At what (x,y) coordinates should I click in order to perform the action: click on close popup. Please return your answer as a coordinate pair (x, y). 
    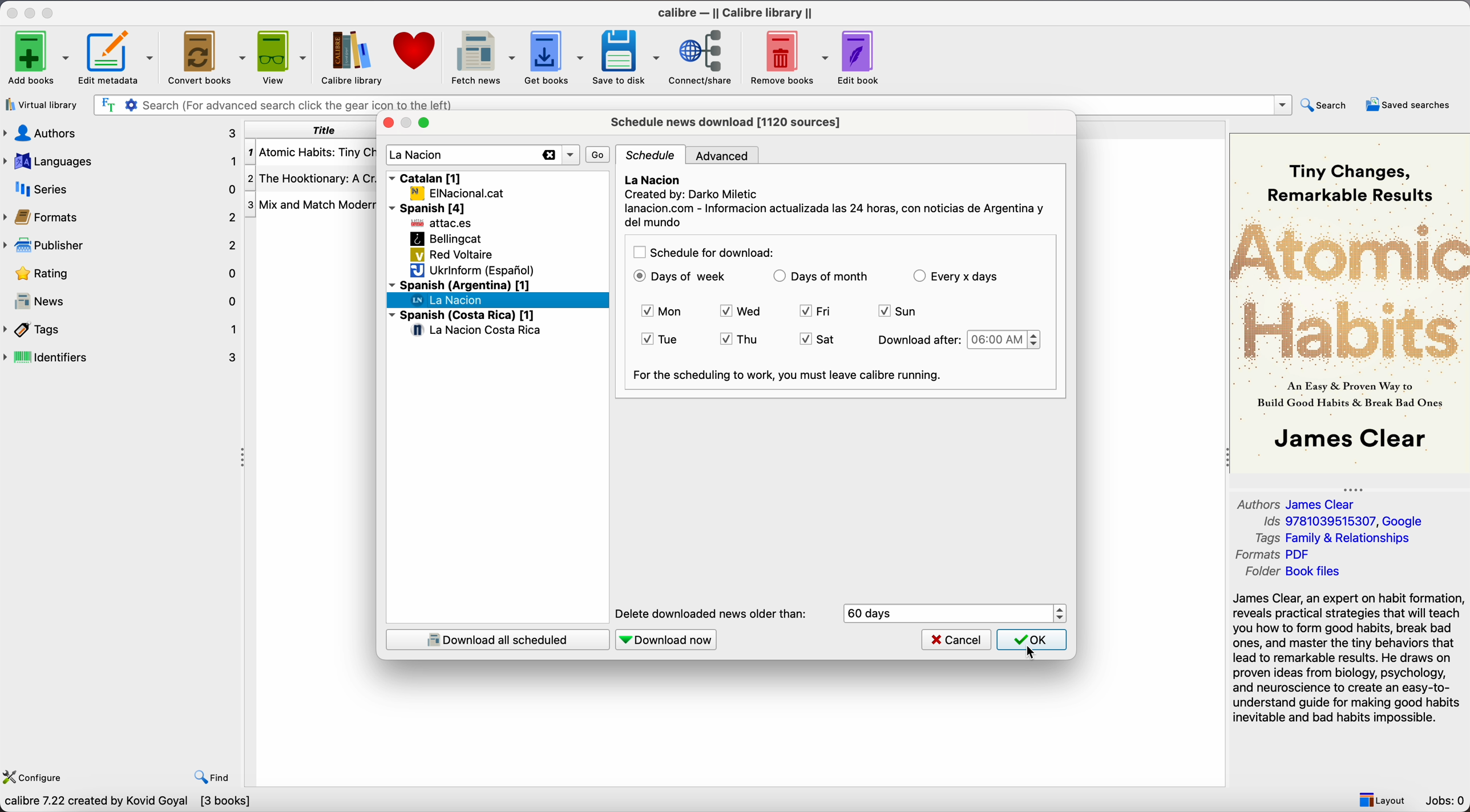
    Looking at the image, I should click on (387, 123).